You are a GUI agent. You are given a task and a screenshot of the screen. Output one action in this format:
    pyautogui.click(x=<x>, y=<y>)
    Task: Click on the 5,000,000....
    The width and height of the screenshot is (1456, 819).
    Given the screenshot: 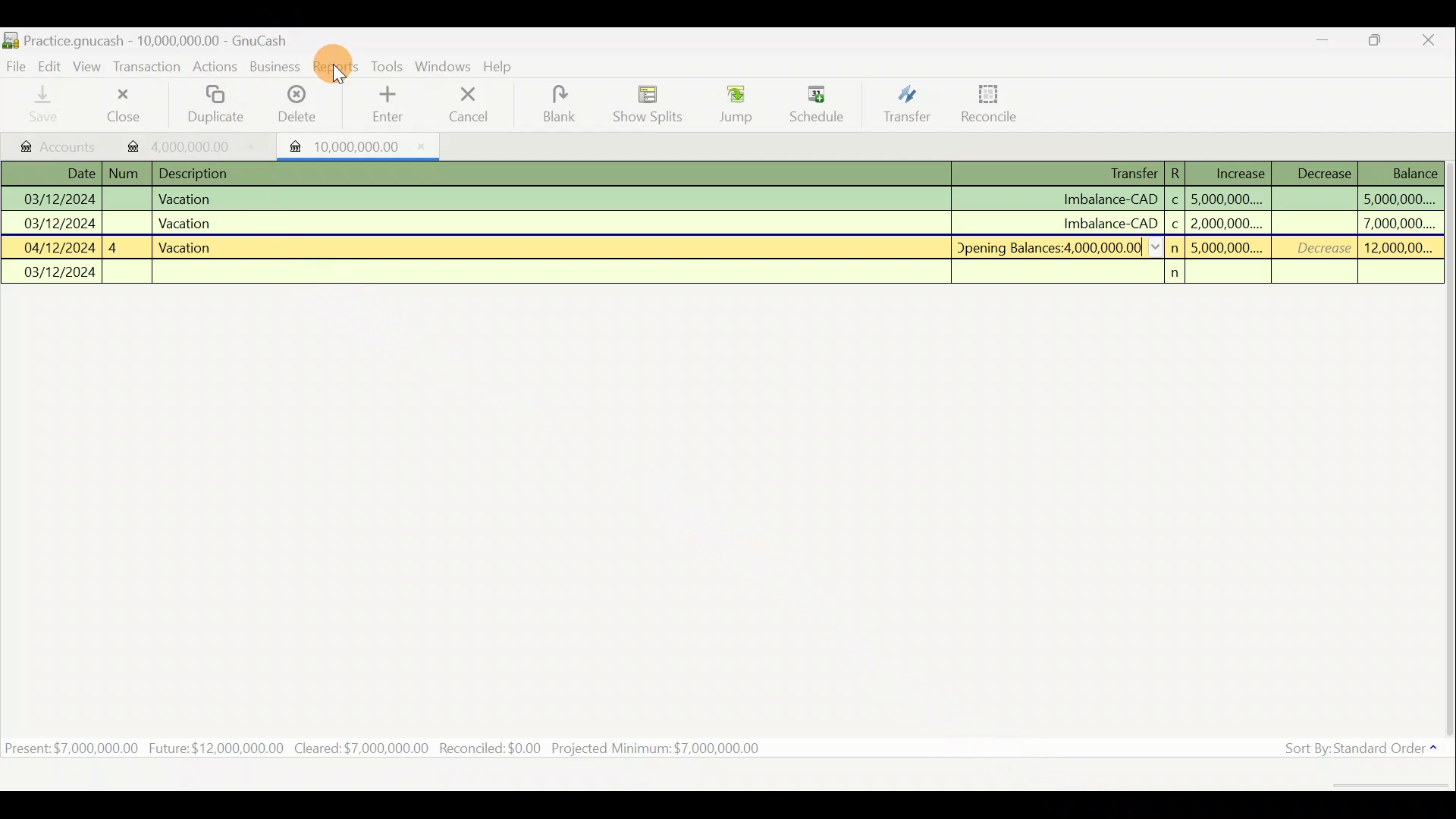 What is the action you would take?
    pyautogui.click(x=1228, y=199)
    